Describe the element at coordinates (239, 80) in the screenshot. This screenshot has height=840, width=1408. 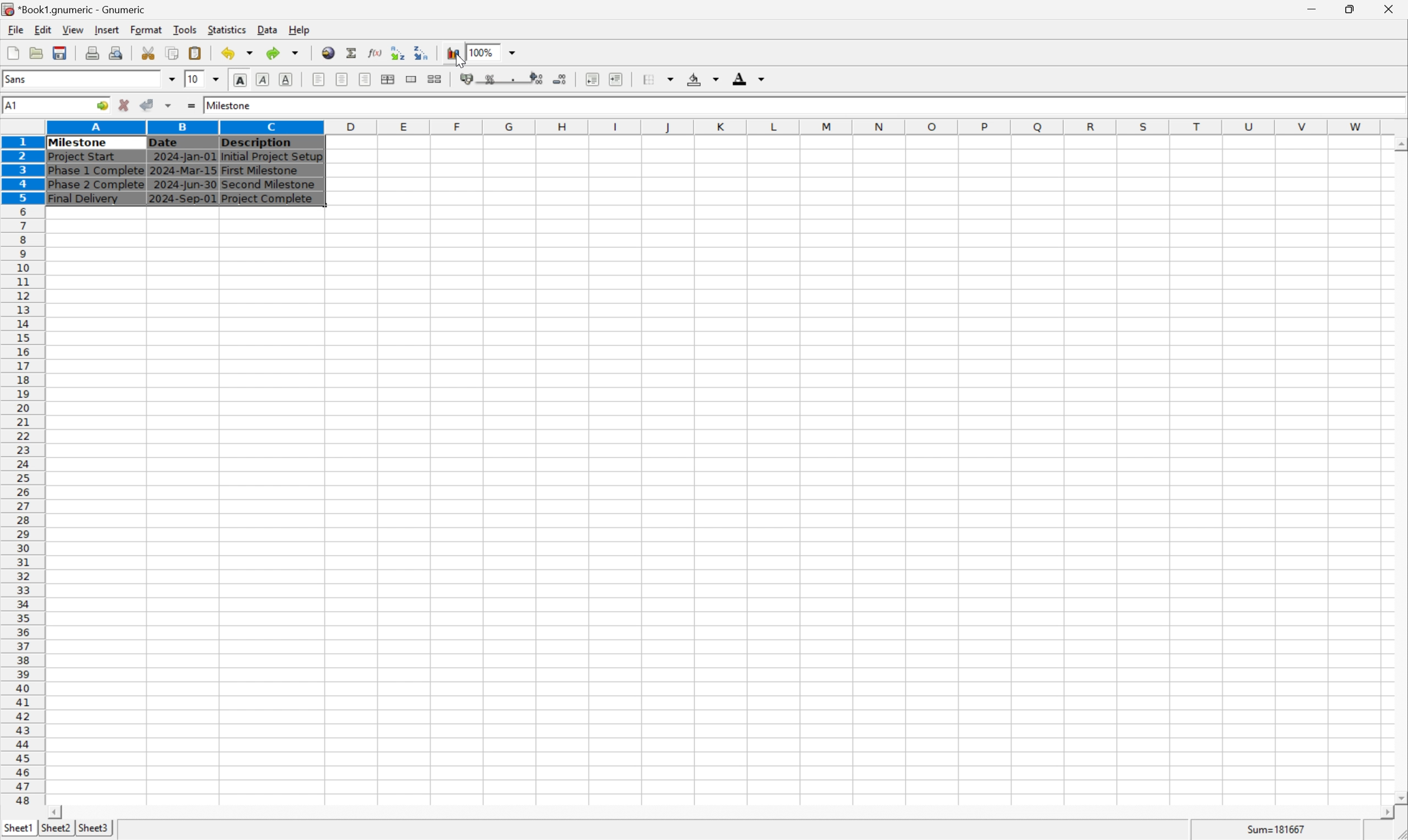
I see `bold` at that location.